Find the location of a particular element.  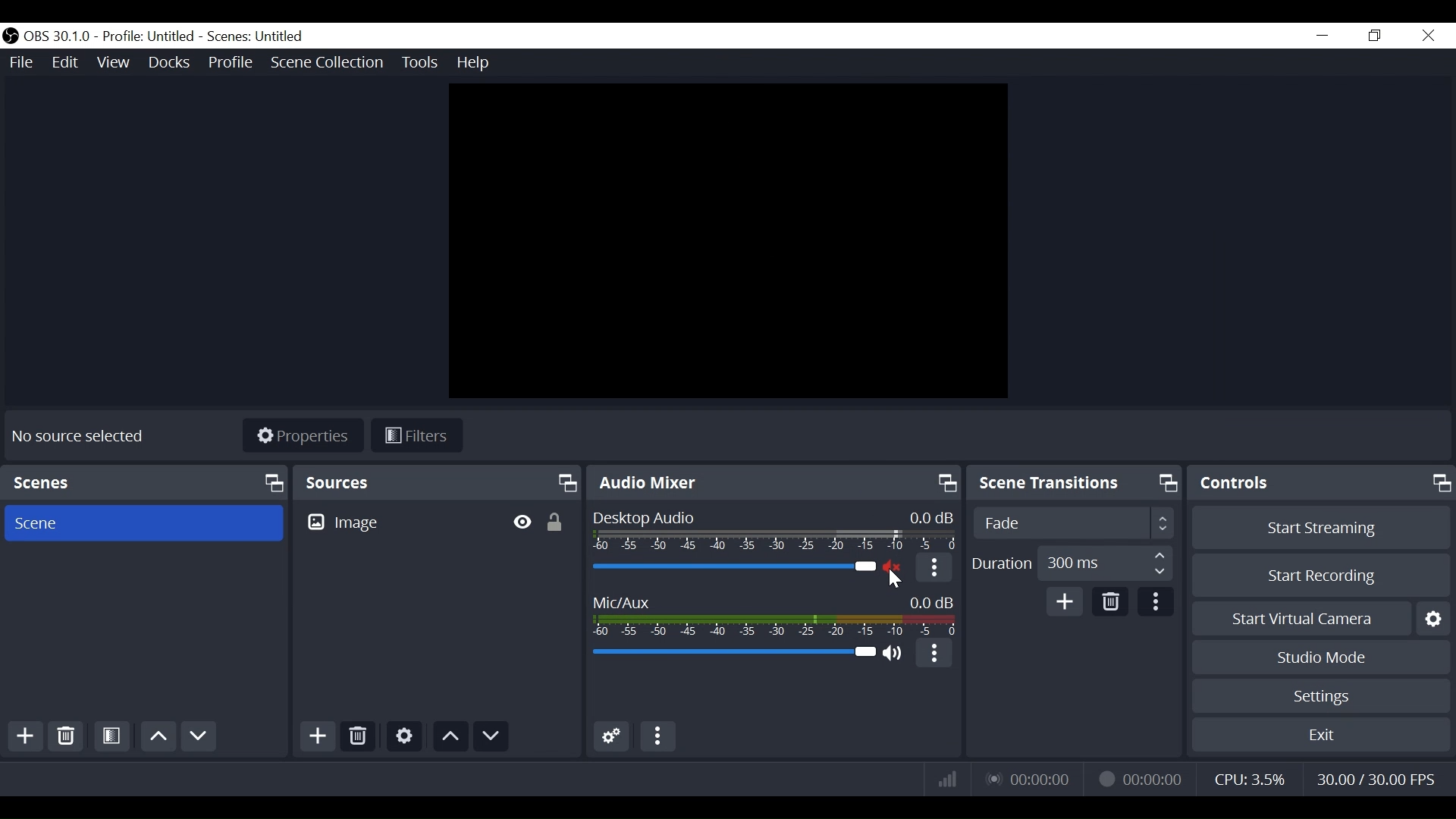

Start Streaming is located at coordinates (1321, 527).